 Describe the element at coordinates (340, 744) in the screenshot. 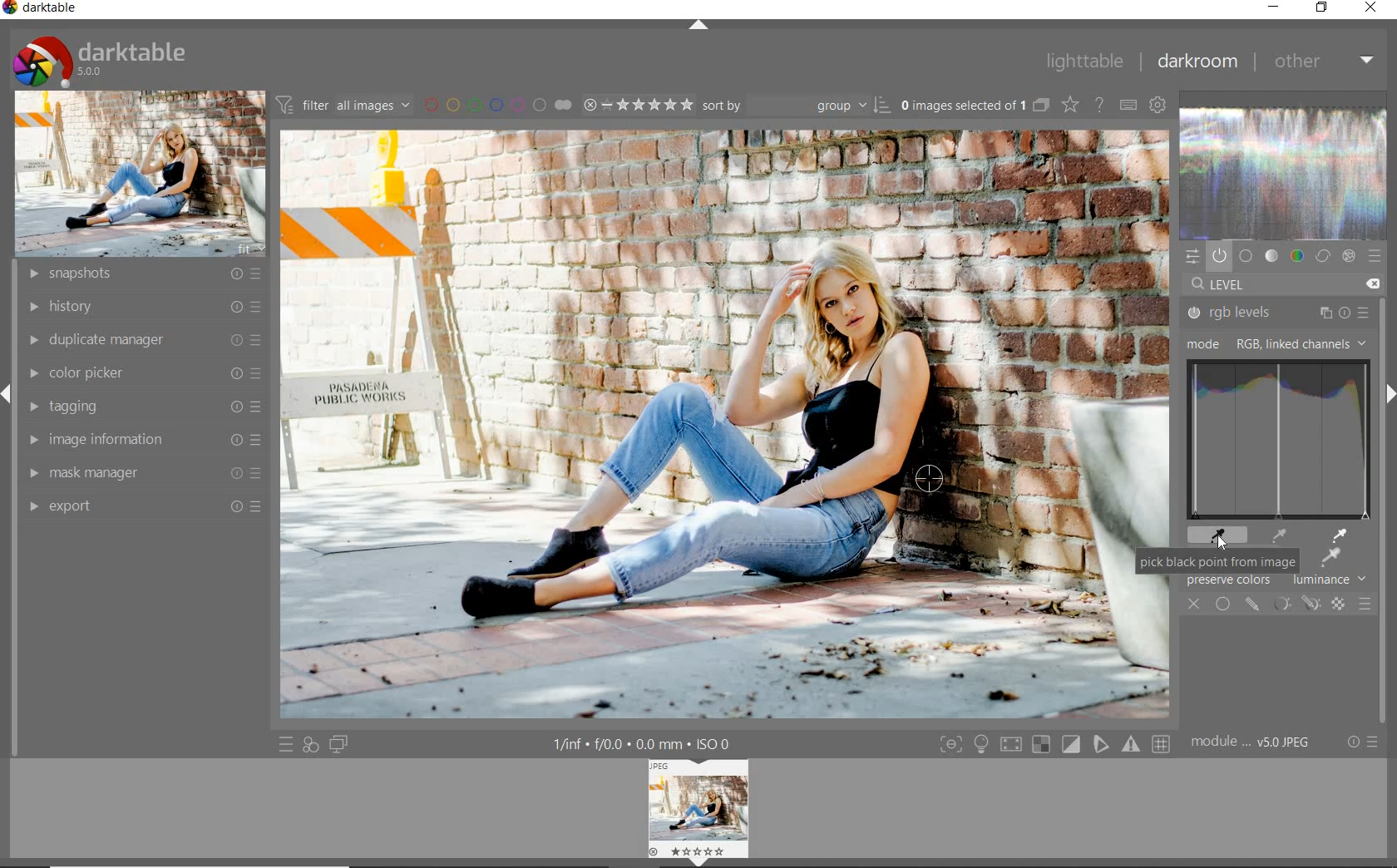

I see `display a second darkroom image widow` at that location.